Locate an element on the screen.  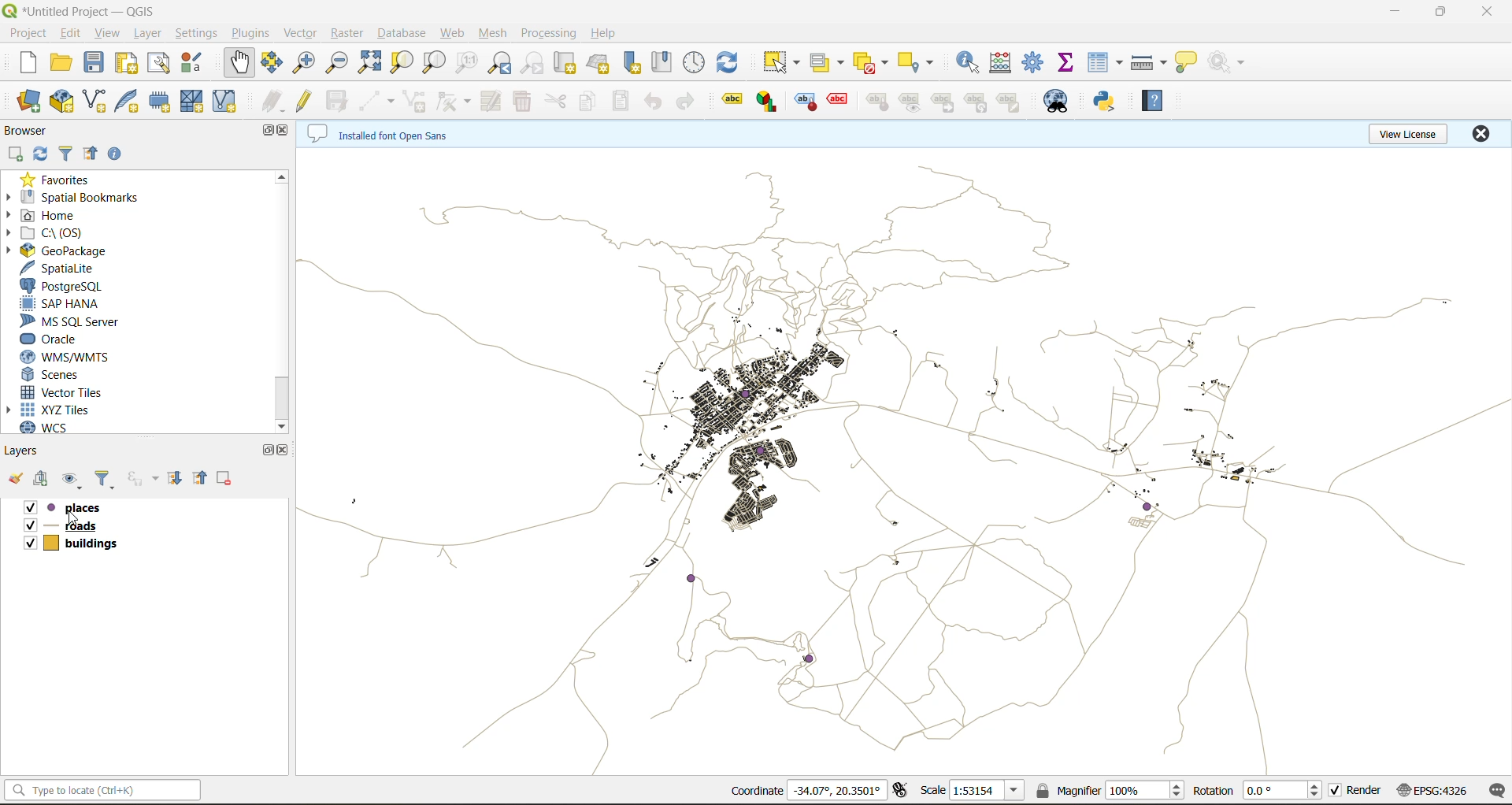
expand all is located at coordinates (178, 479).